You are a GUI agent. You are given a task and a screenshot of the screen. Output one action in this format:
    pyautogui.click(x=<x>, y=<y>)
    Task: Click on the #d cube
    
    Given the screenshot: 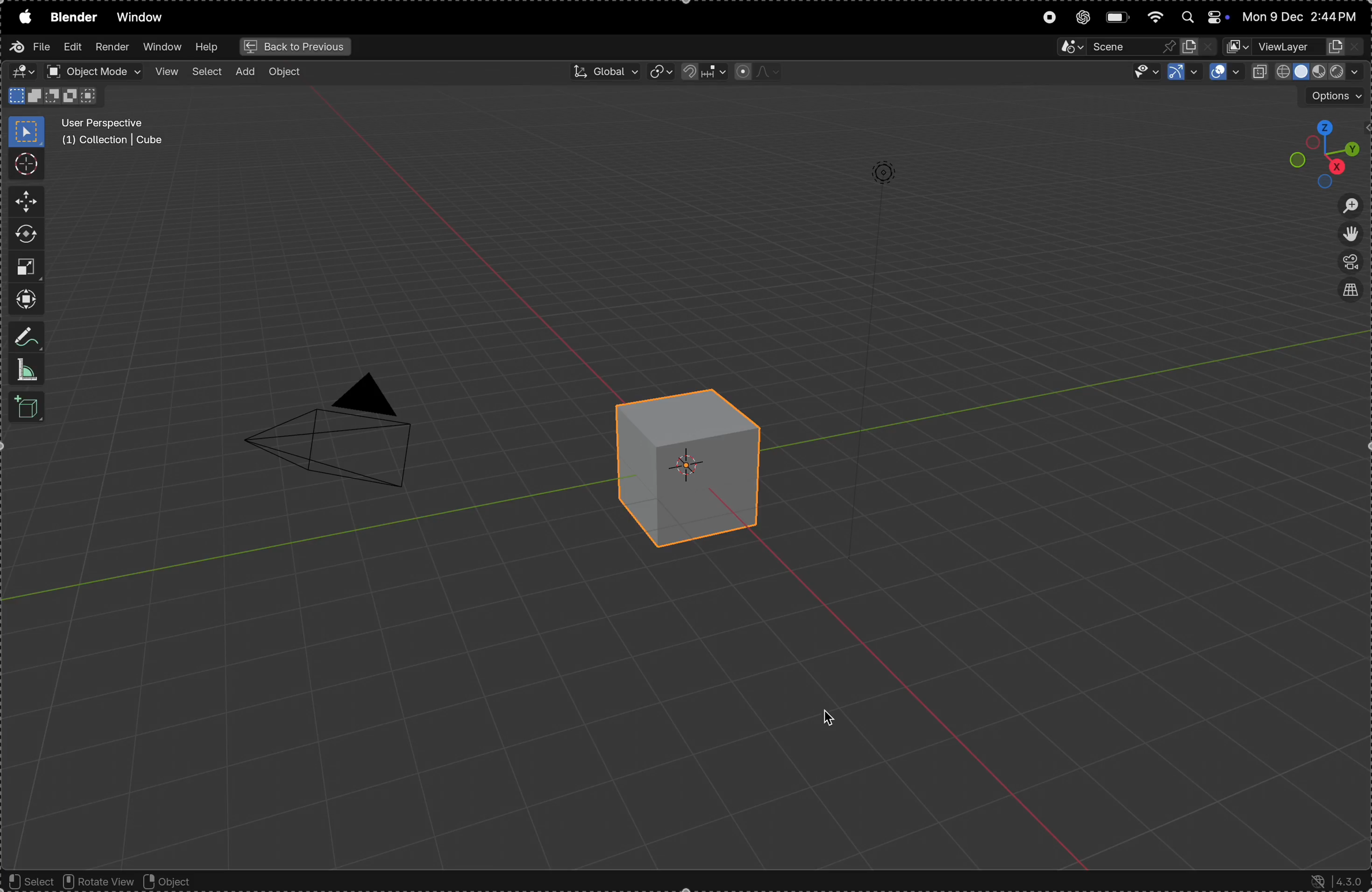 What is the action you would take?
    pyautogui.click(x=685, y=464)
    